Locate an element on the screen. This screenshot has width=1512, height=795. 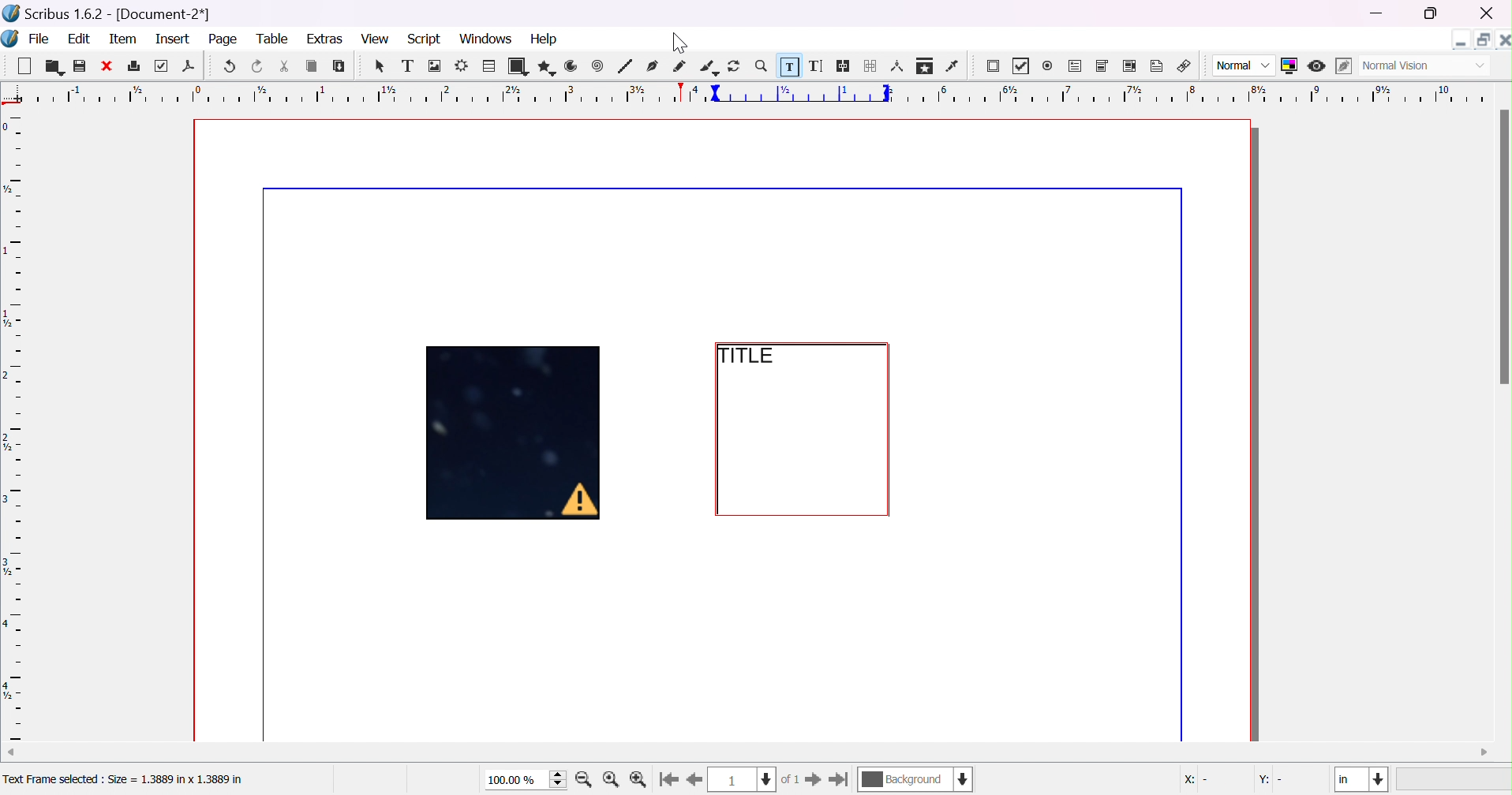
scribus 1.6.2 - [Document-2*] is located at coordinates (108, 14).